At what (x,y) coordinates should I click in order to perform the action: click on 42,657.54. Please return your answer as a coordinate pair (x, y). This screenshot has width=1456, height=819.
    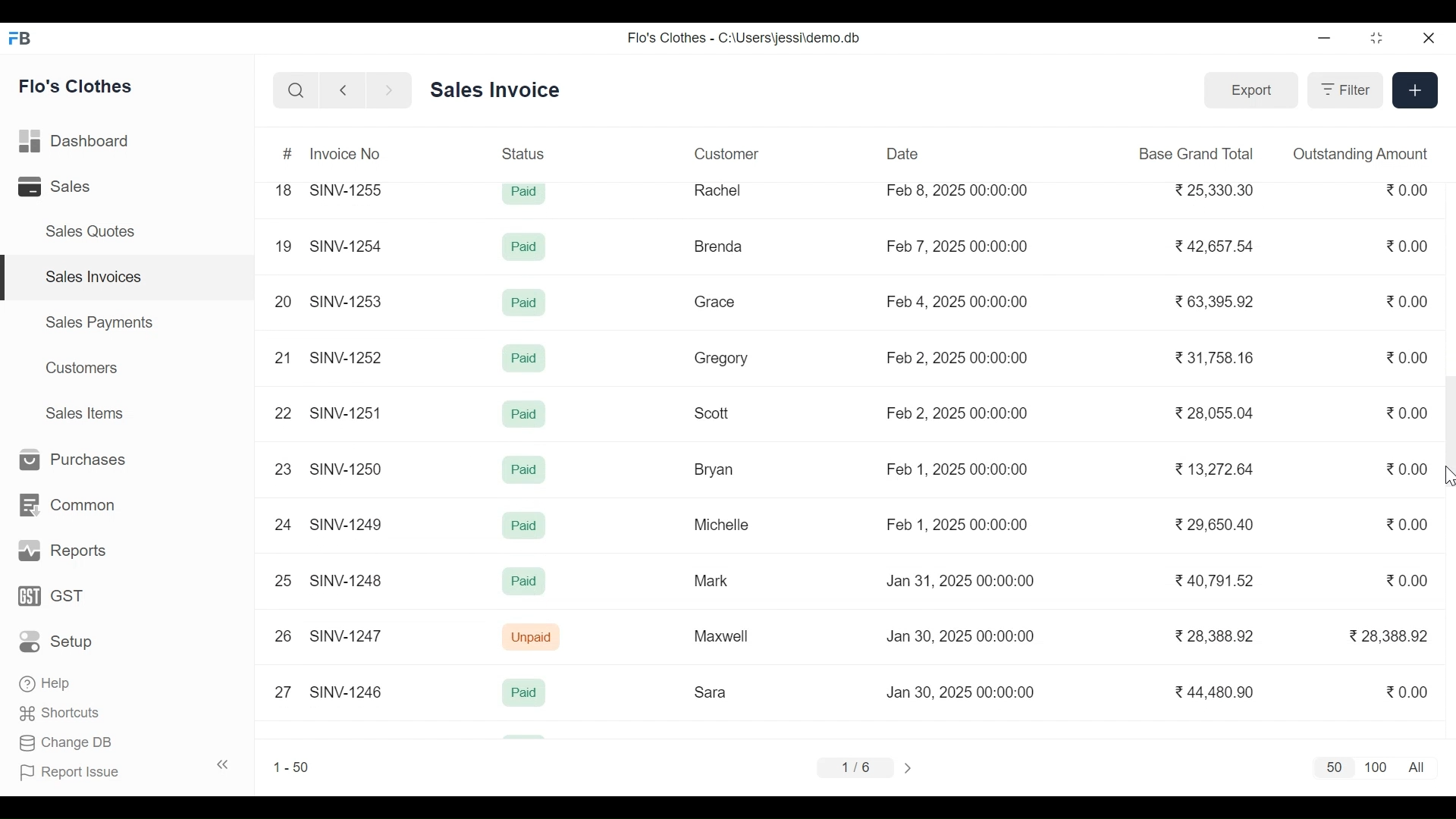
    Looking at the image, I should click on (1217, 245).